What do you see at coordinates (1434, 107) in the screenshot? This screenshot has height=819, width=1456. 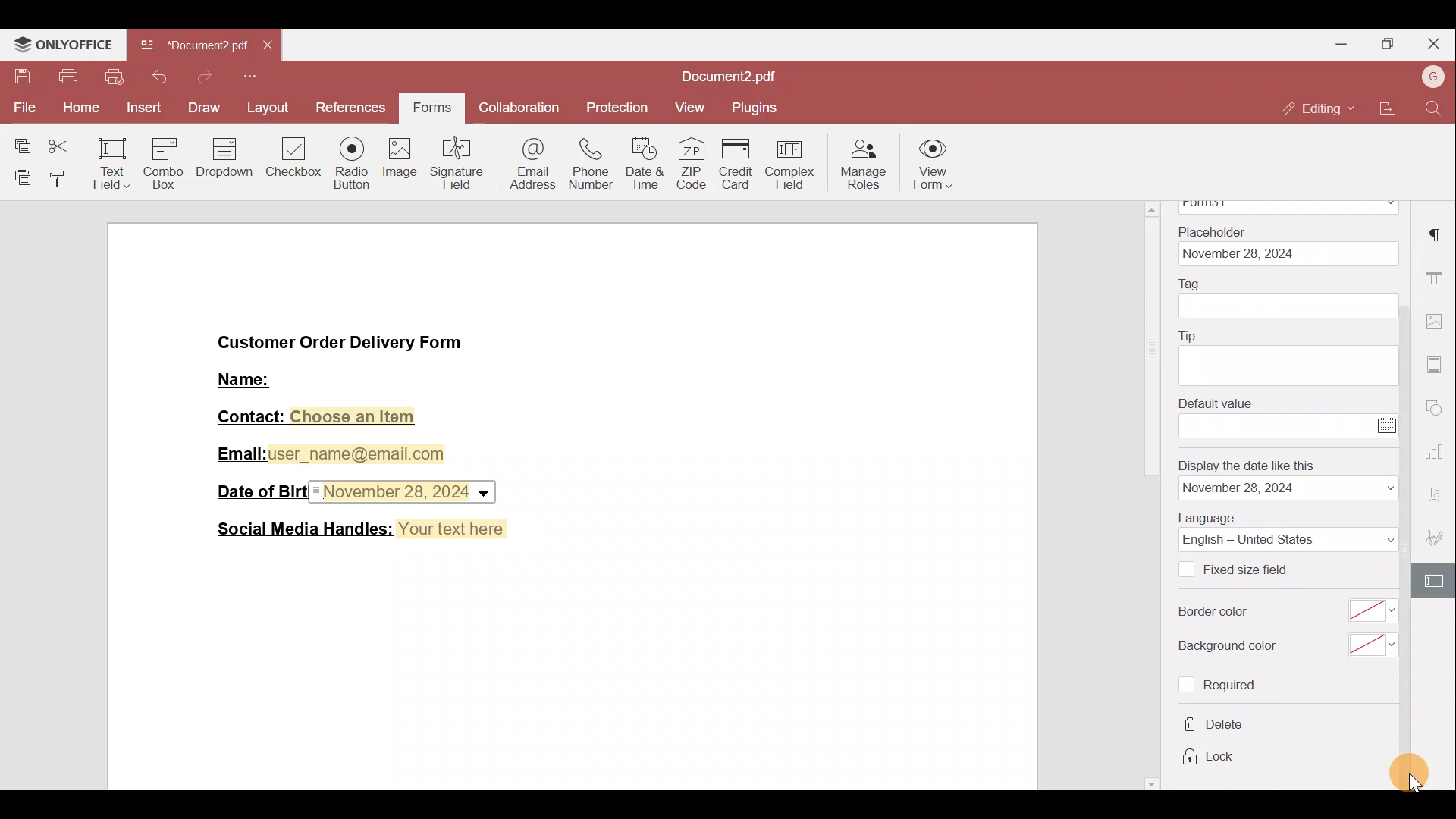 I see `Find` at bounding box center [1434, 107].